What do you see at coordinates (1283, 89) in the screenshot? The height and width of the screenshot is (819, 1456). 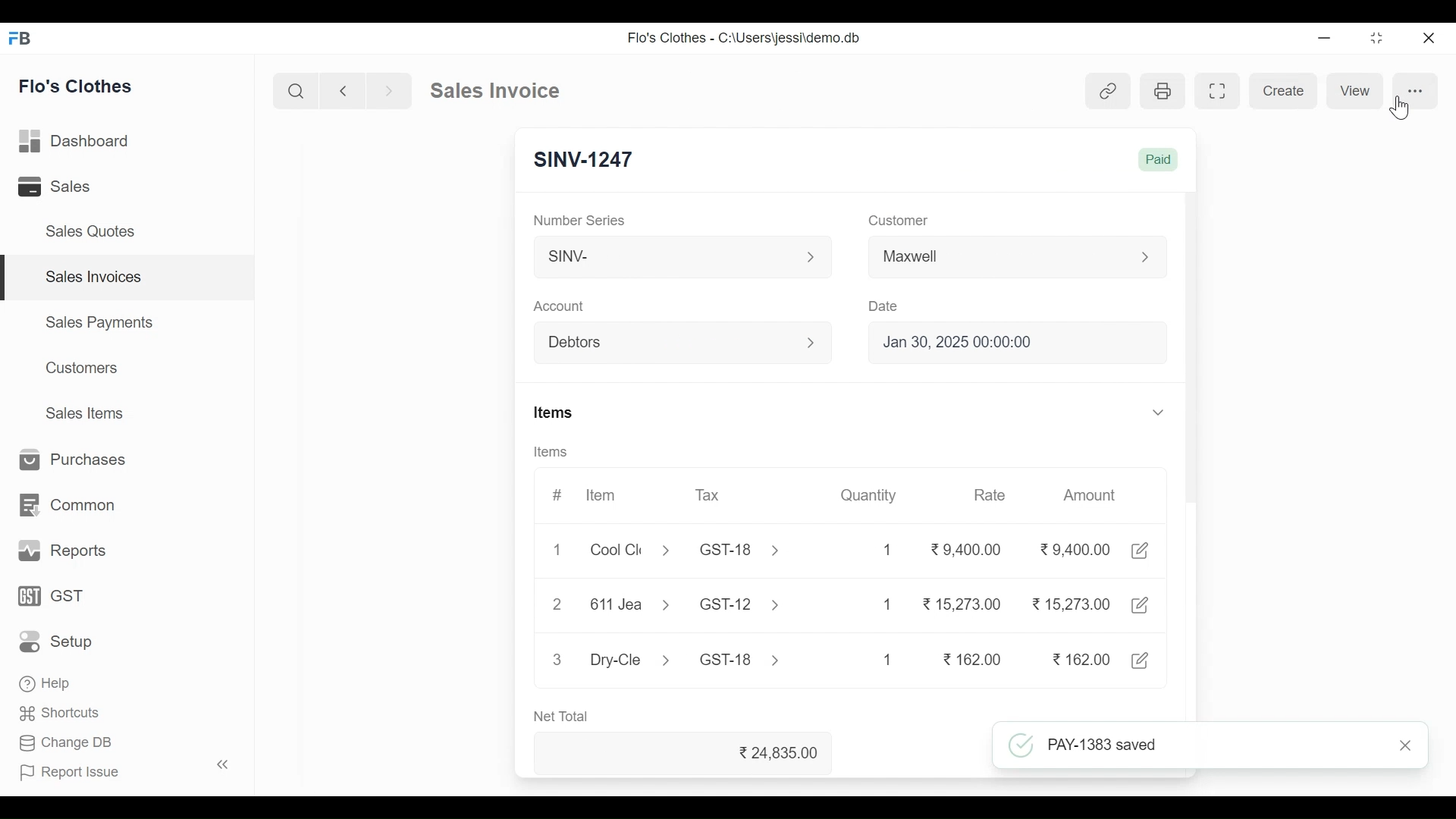 I see `Create` at bounding box center [1283, 89].